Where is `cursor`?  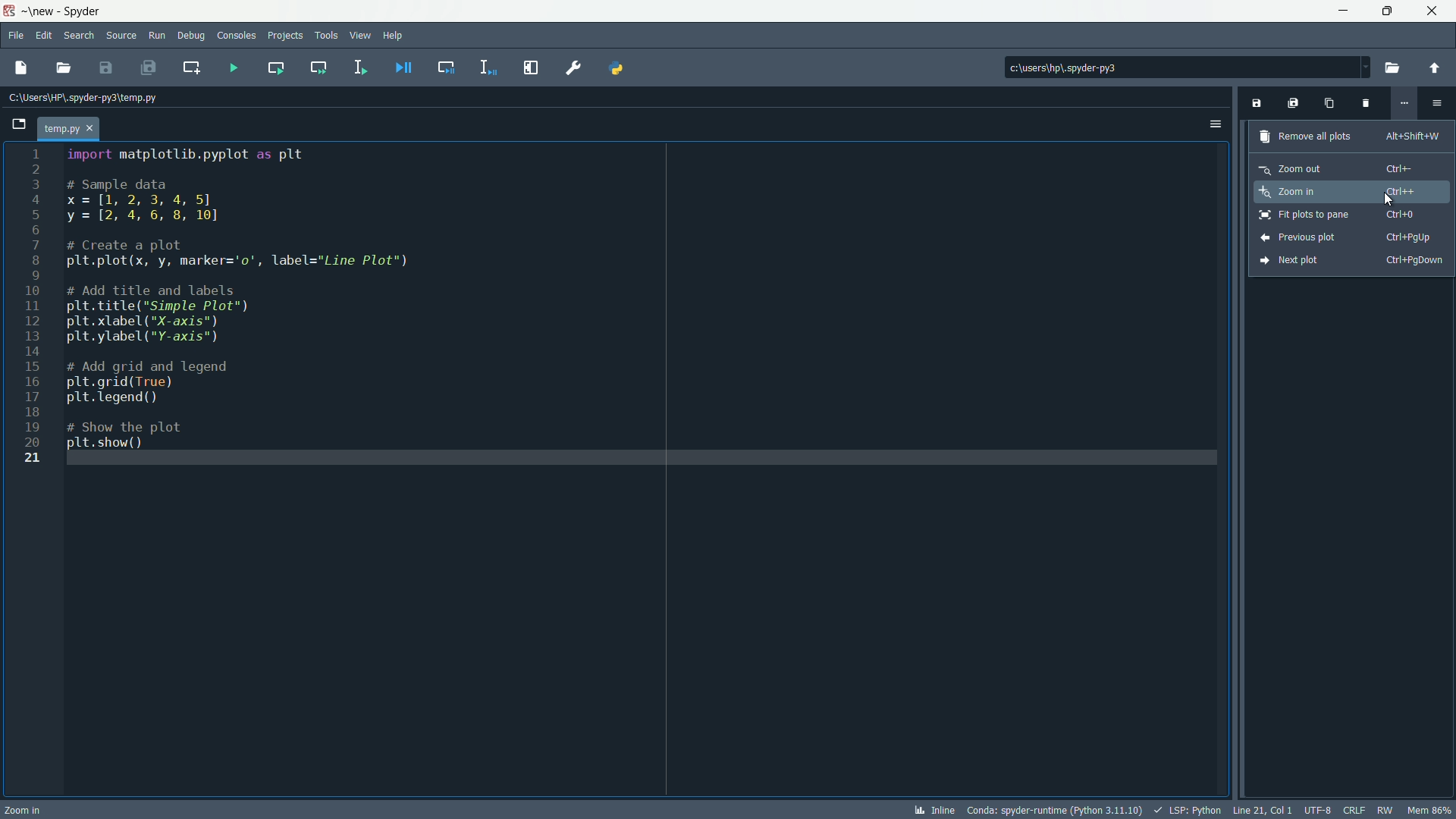 cursor is located at coordinates (1390, 200).